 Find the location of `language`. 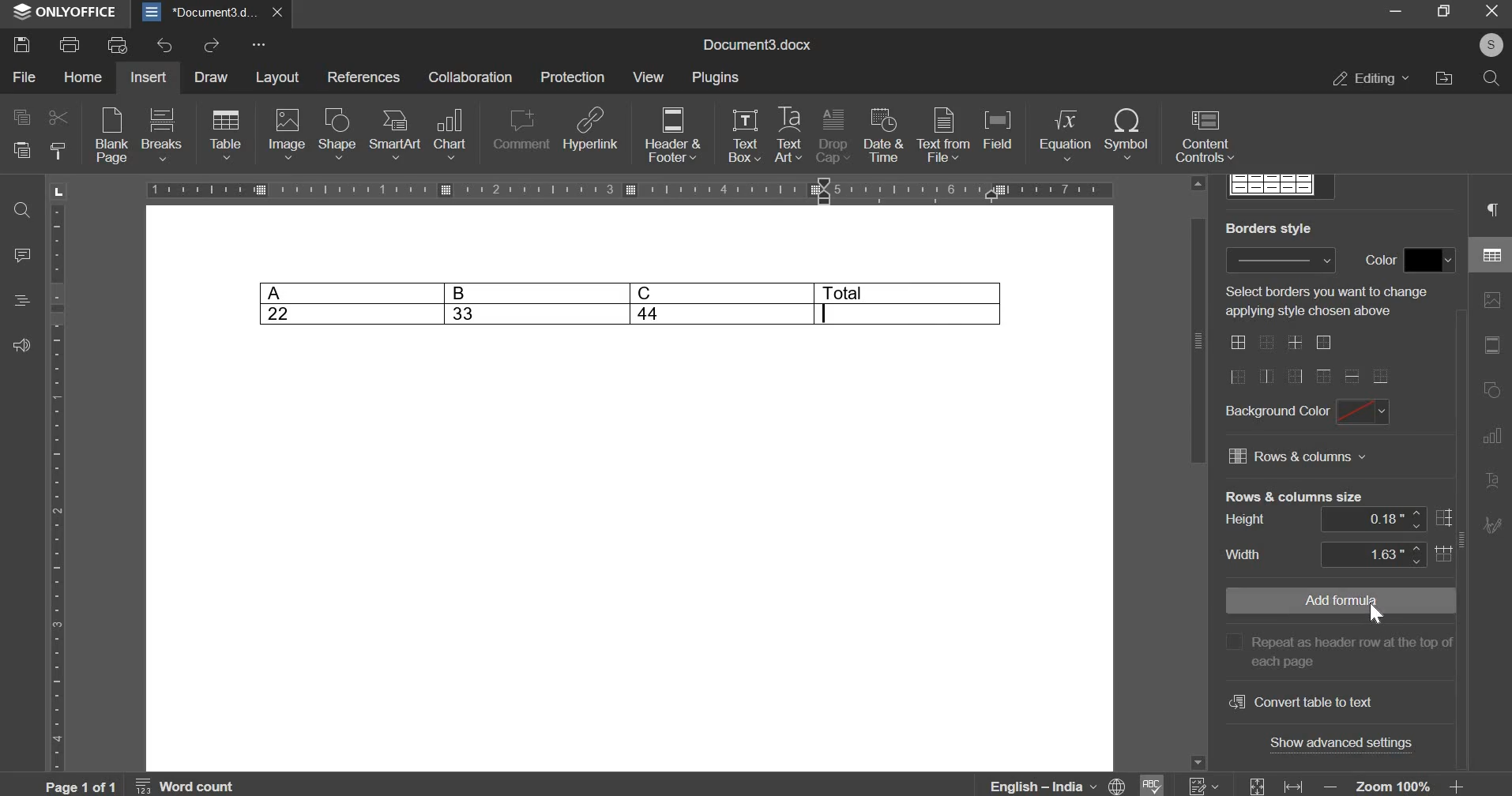

language is located at coordinates (1059, 784).